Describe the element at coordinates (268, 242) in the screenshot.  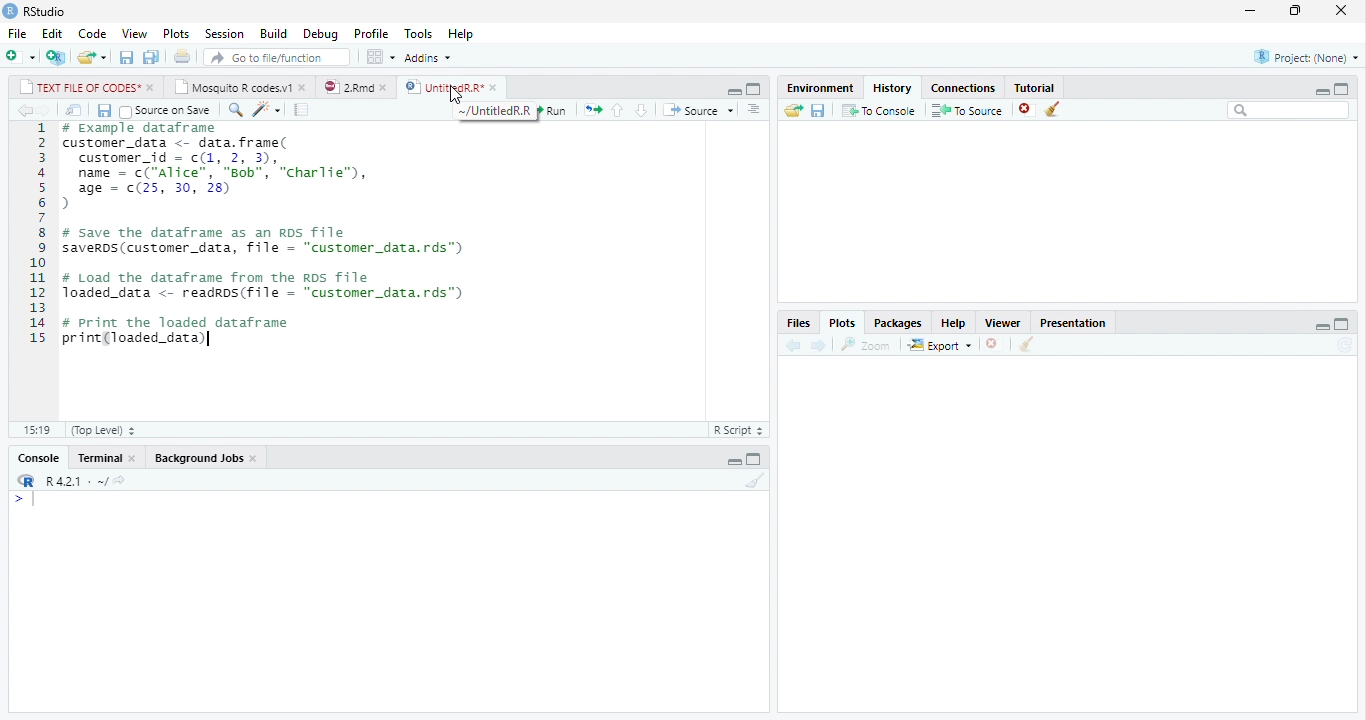
I see `# Save the dataframe as an RDS file
saverDs(customer_data, file = "customer_data.rds")` at that location.